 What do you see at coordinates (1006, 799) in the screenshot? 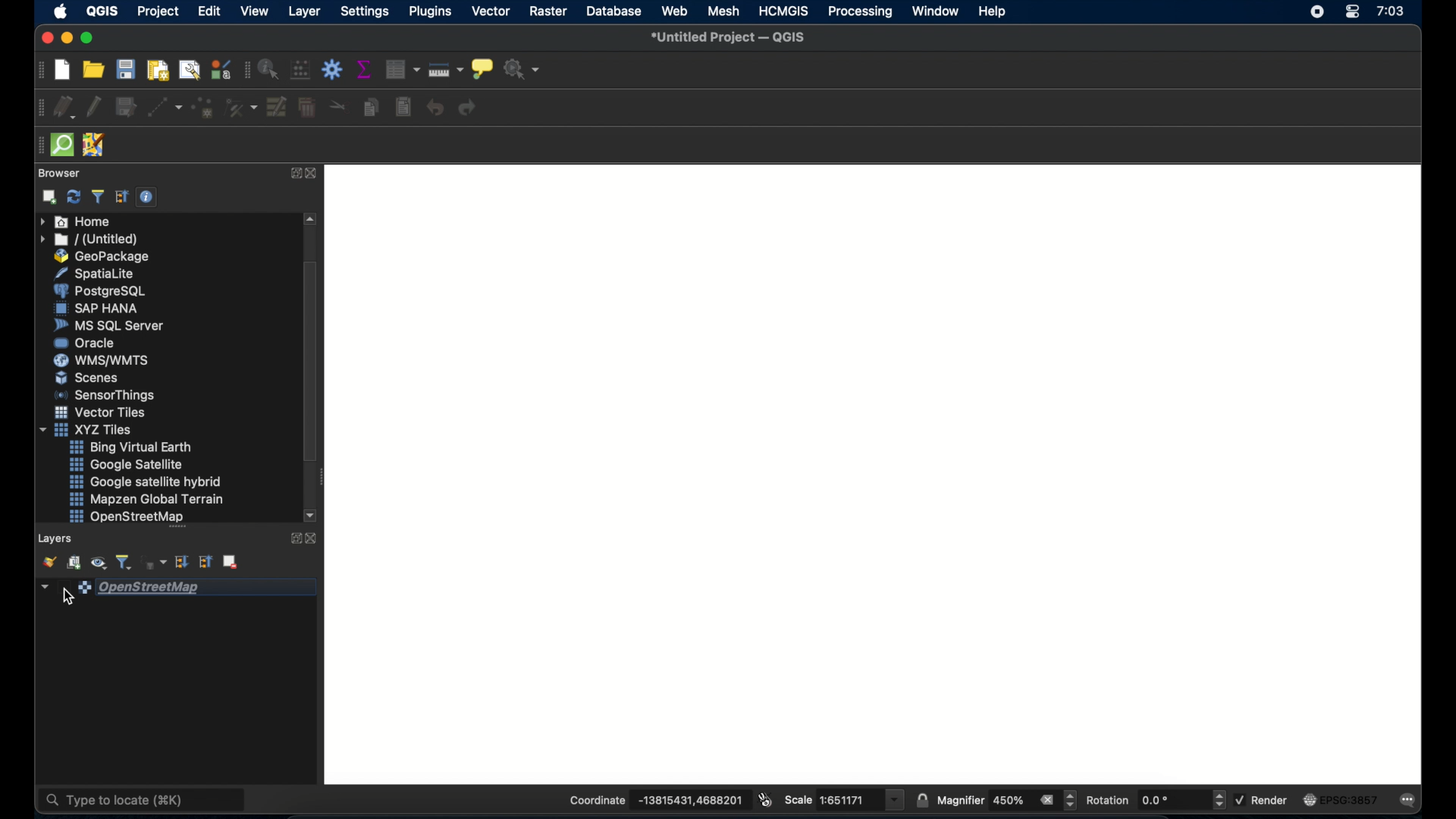
I see `magnifier` at bounding box center [1006, 799].